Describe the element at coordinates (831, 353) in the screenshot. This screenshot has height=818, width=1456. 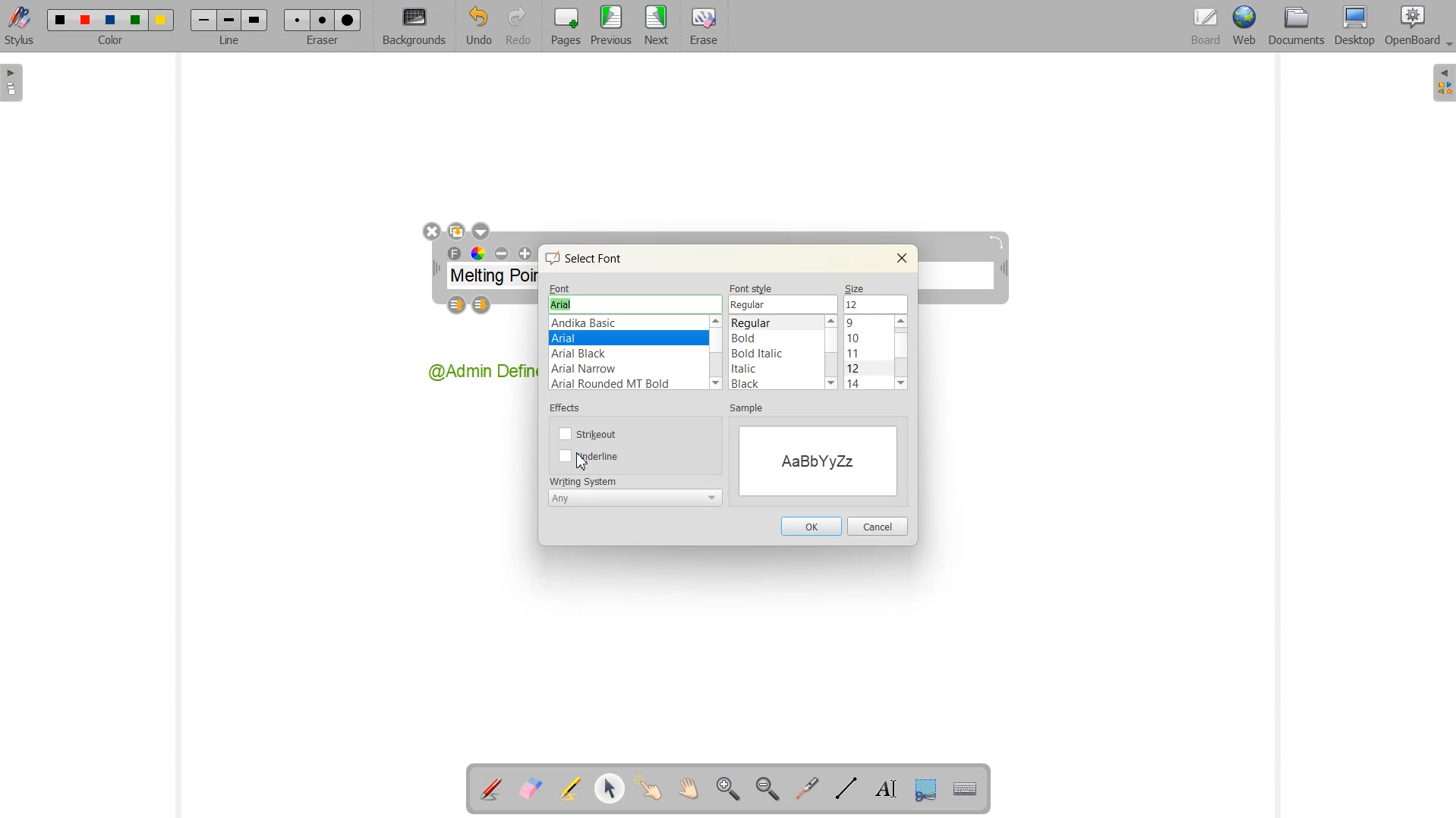
I see `Vertical scroll bar` at that location.